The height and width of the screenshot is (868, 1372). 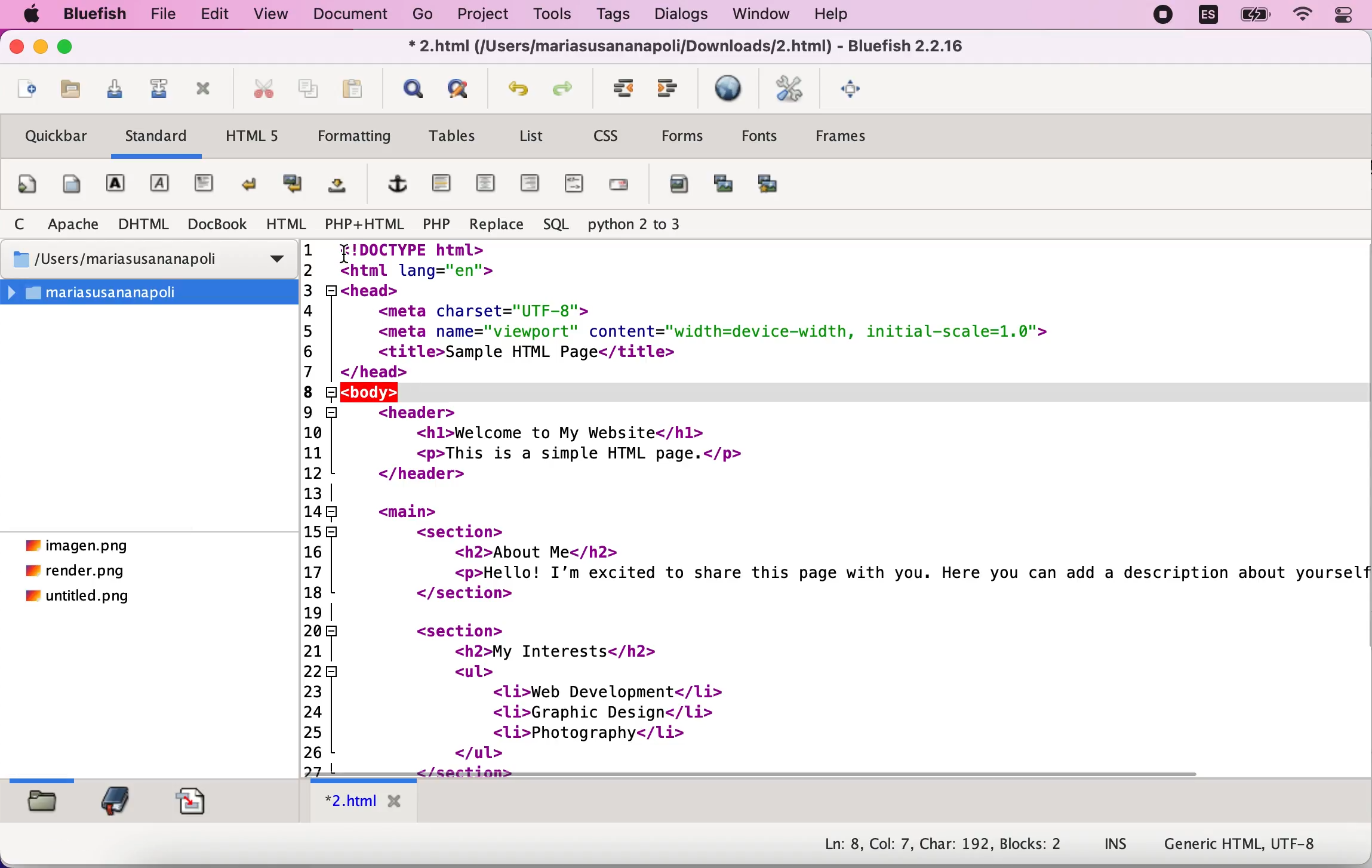 What do you see at coordinates (788, 91) in the screenshot?
I see `edit preferences` at bounding box center [788, 91].